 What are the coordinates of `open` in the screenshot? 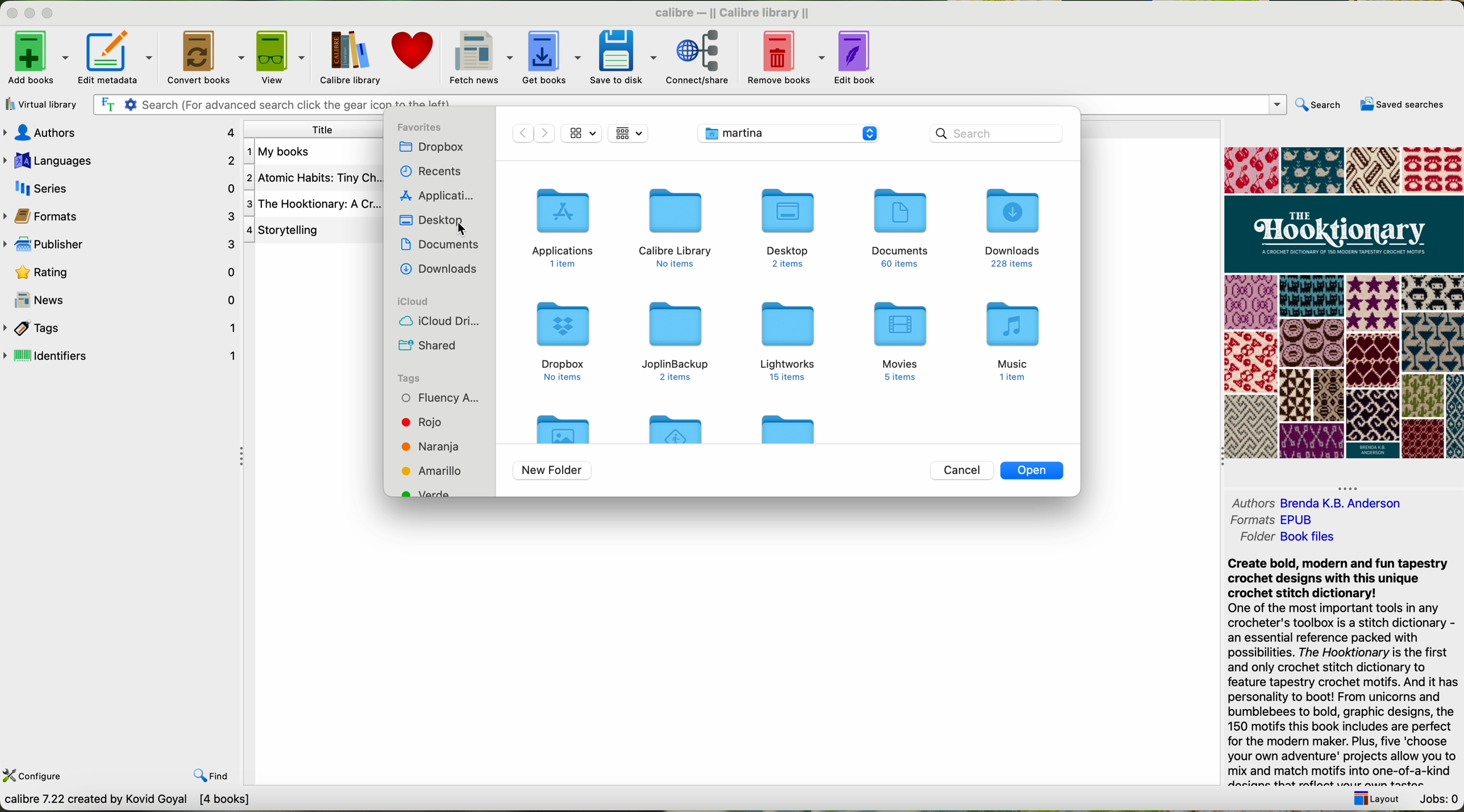 It's located at (1033, 470).